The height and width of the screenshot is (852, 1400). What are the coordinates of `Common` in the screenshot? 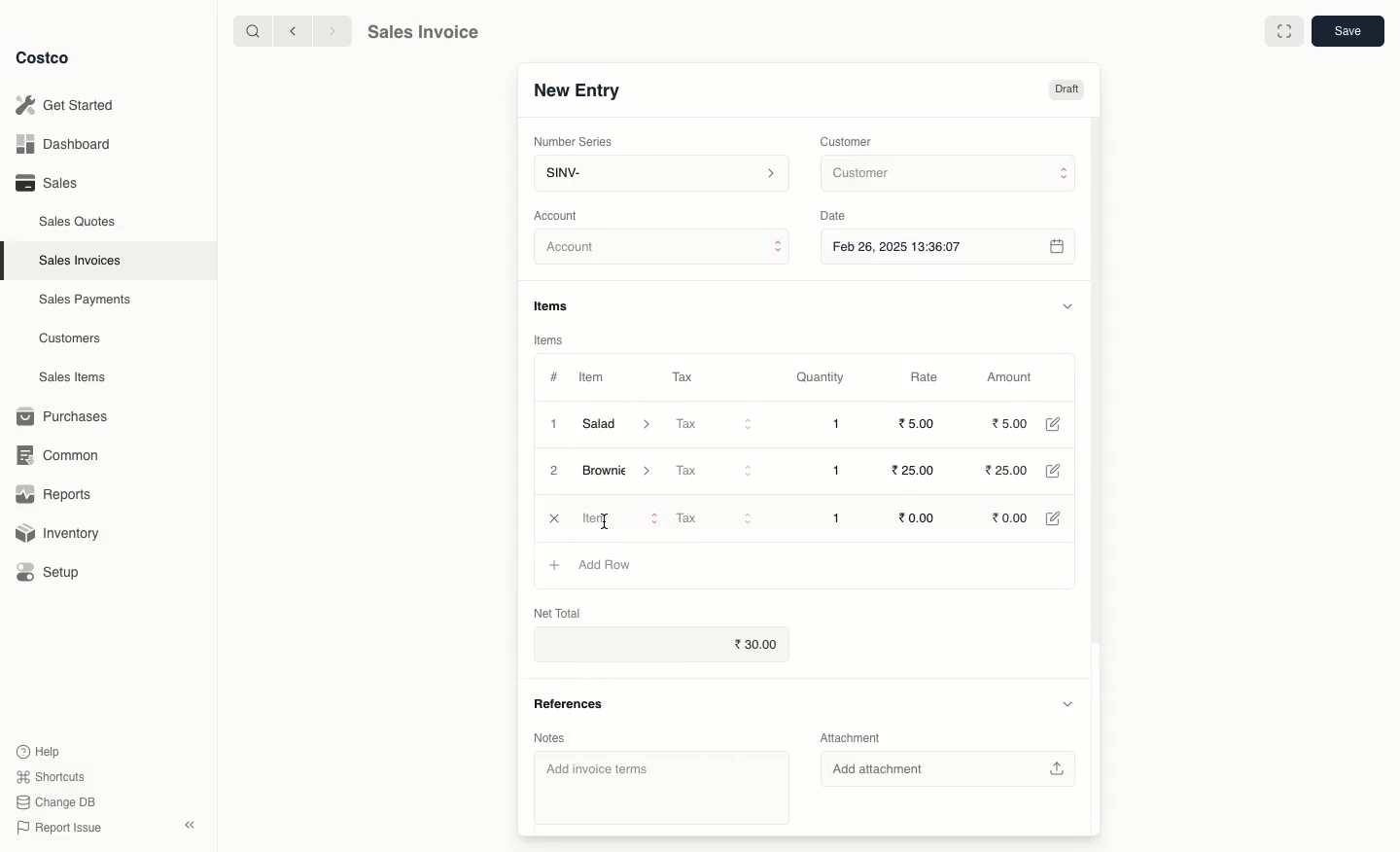 It's located at (66, 455).